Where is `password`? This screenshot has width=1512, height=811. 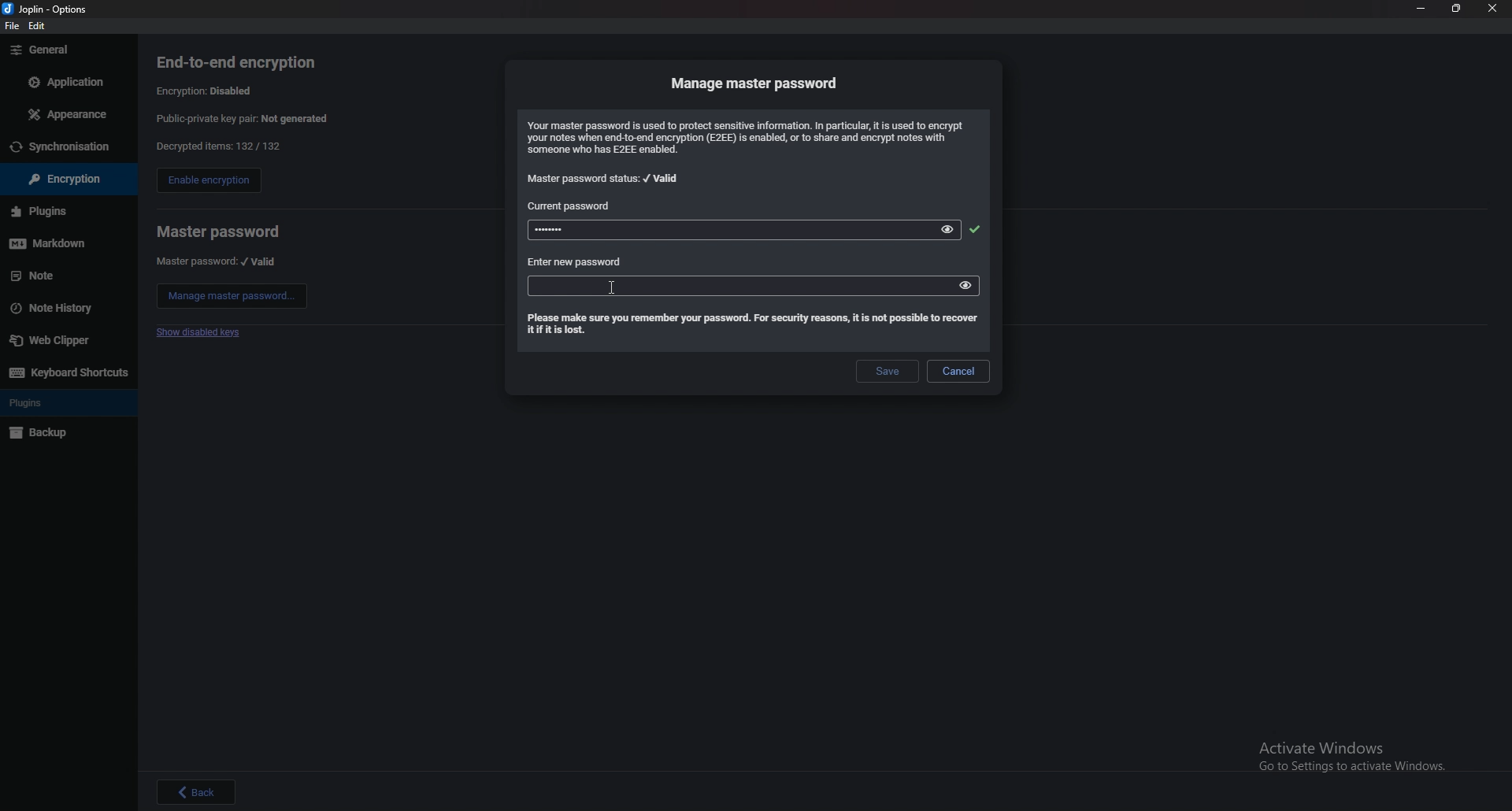 password is located at coordinates (717, 231).